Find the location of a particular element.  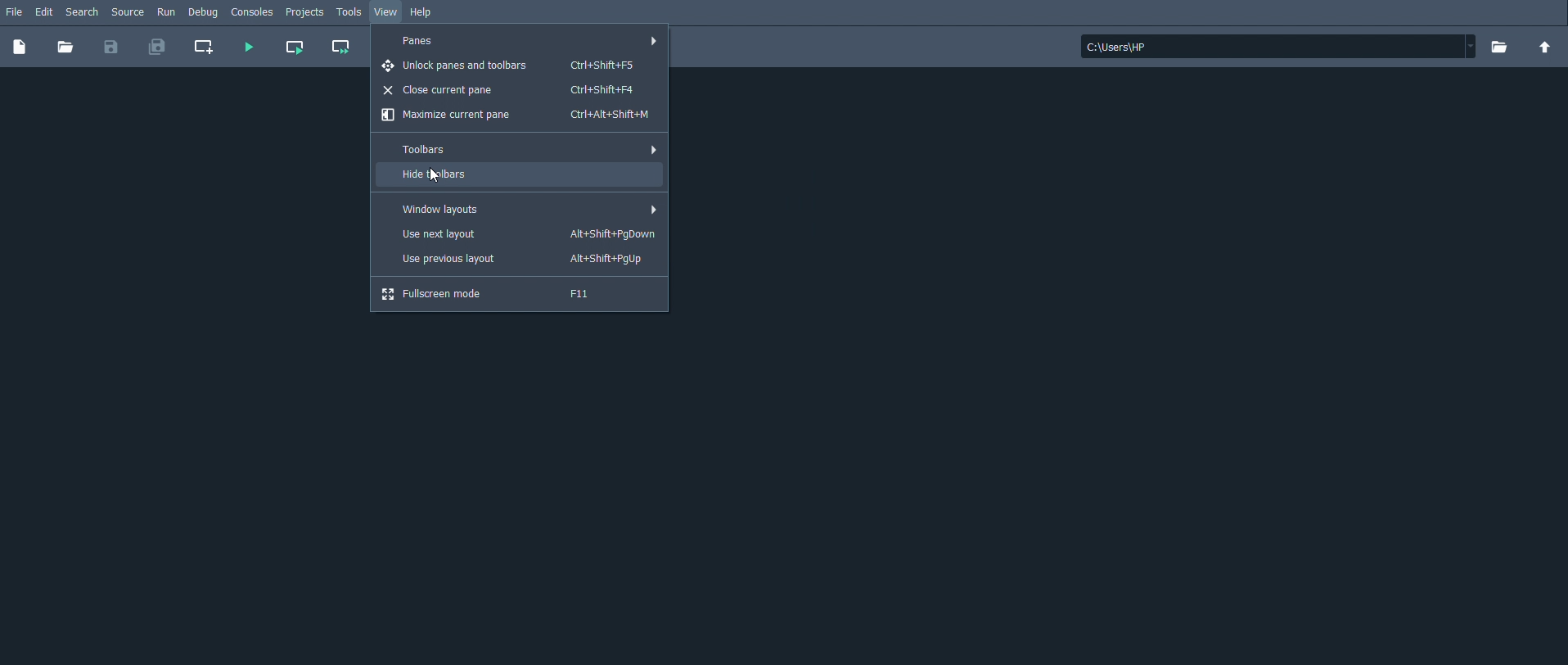

Window layouts is located at coordinates (525, 208).